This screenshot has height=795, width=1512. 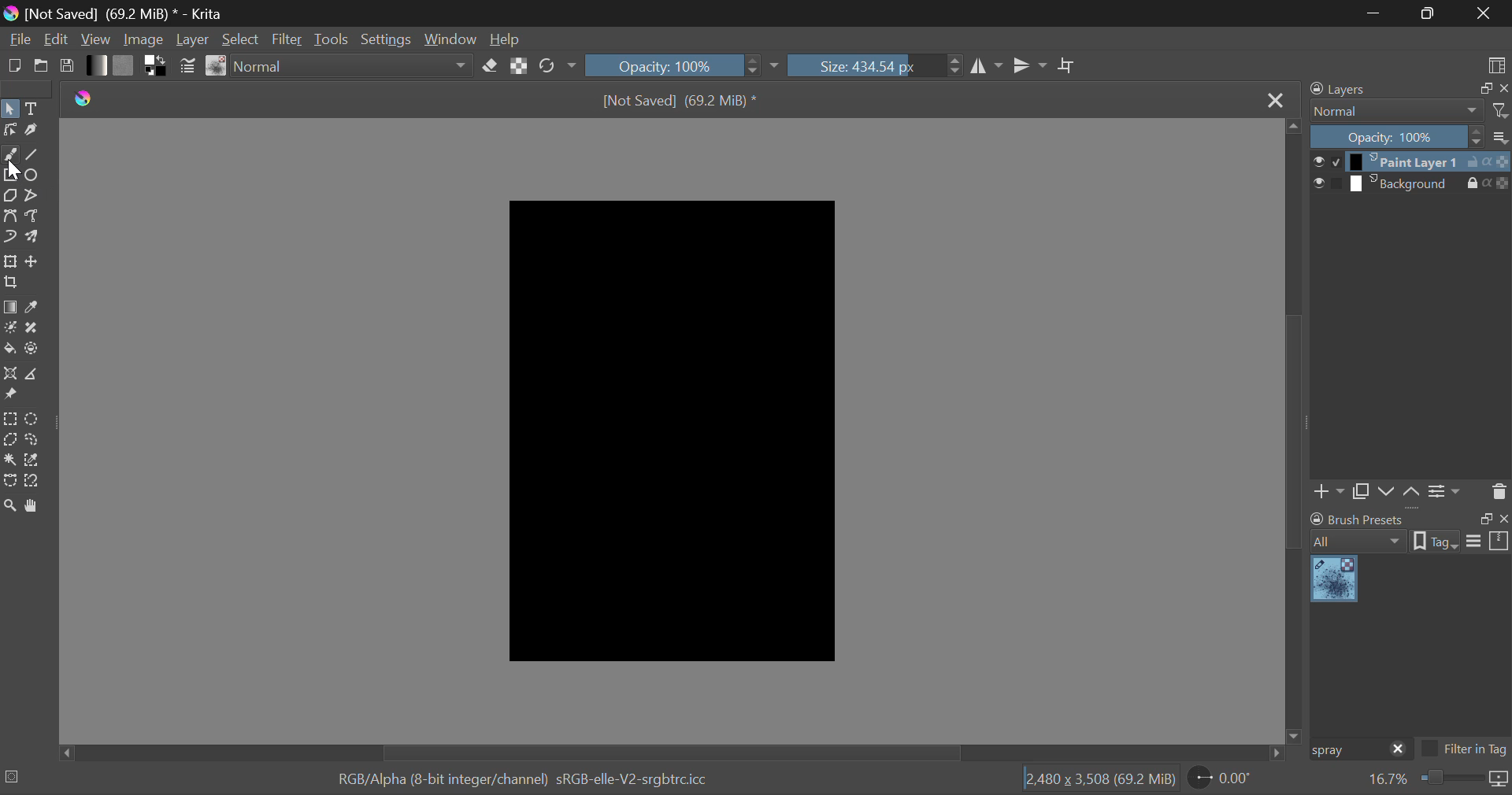 What do you see at coordinates (35, 107) in the screenshot?
I see `Text` at bounding box center [35, 107].